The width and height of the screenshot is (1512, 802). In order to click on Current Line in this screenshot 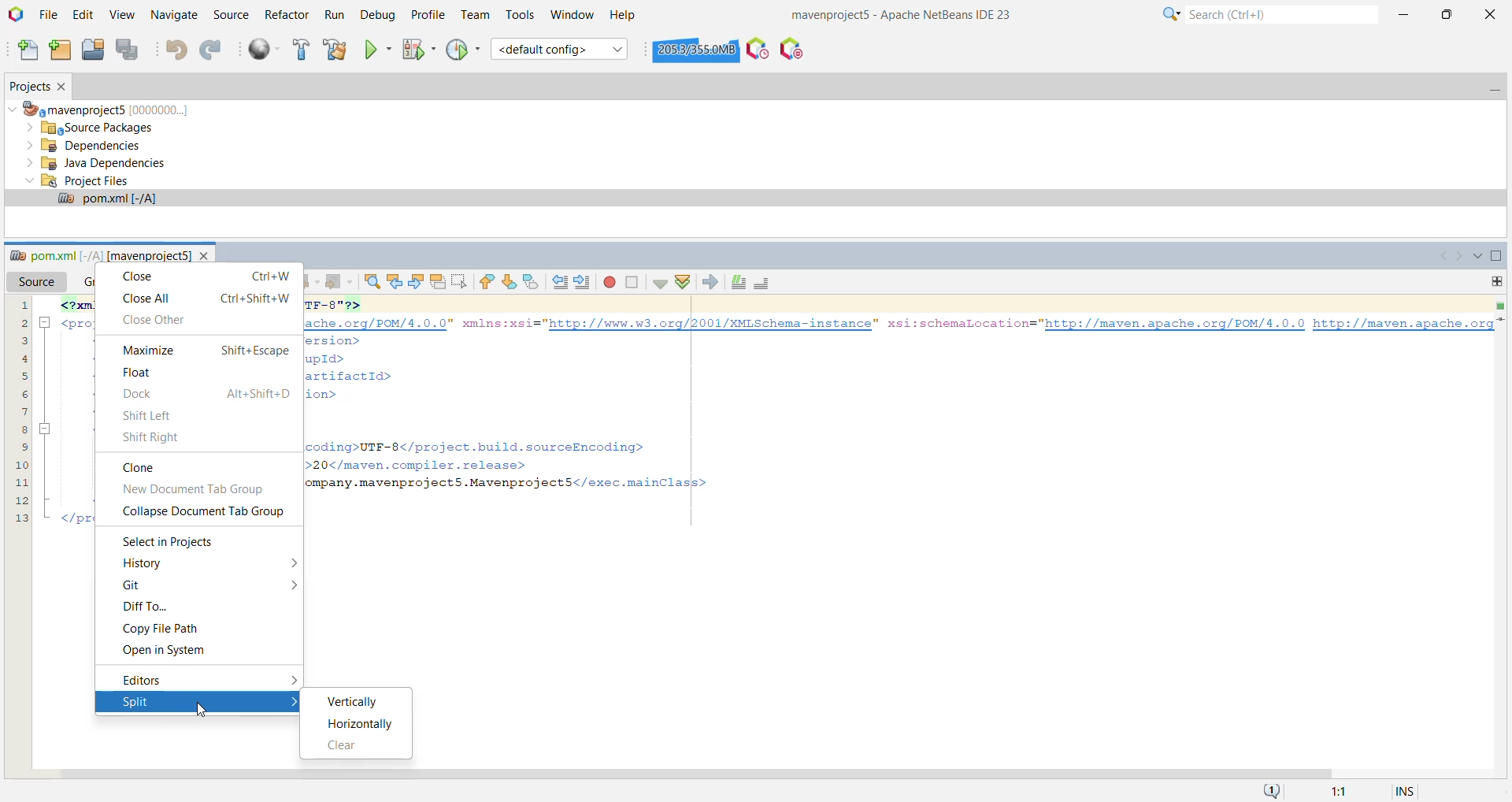, I will do `click(1503, 320)`.